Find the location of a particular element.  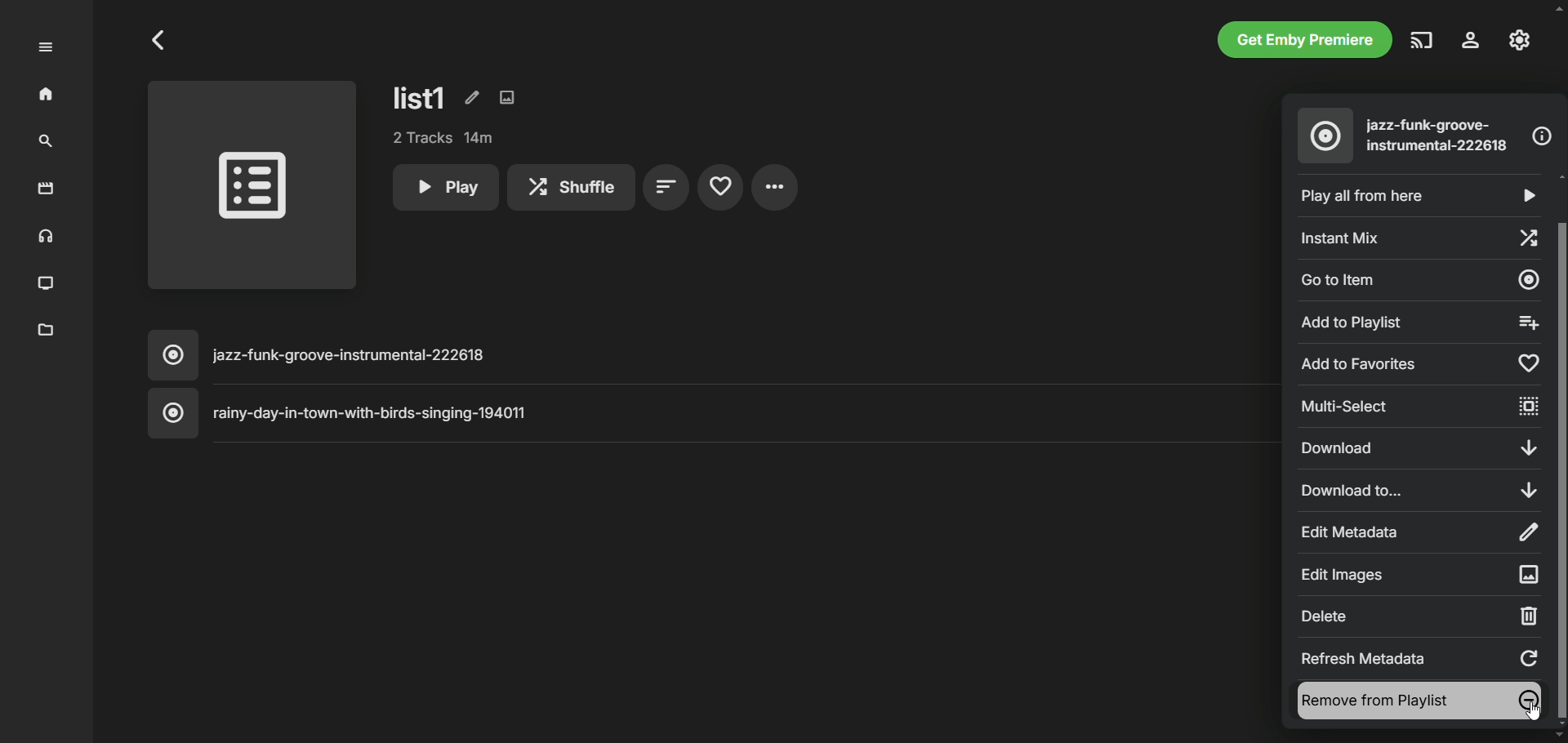

settings is located at coordinates (1472, 40).